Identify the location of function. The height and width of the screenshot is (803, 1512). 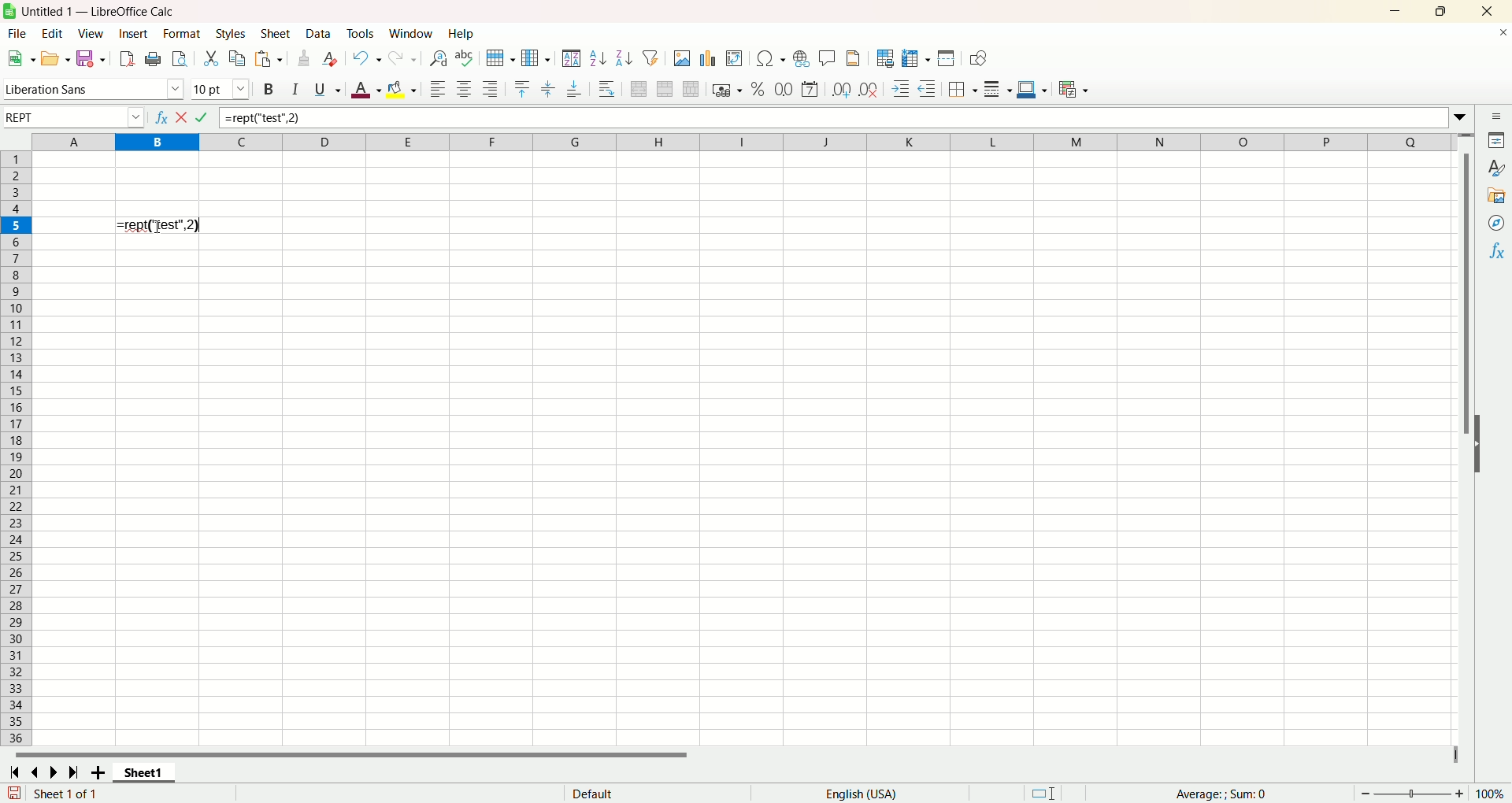
(1495, 253).